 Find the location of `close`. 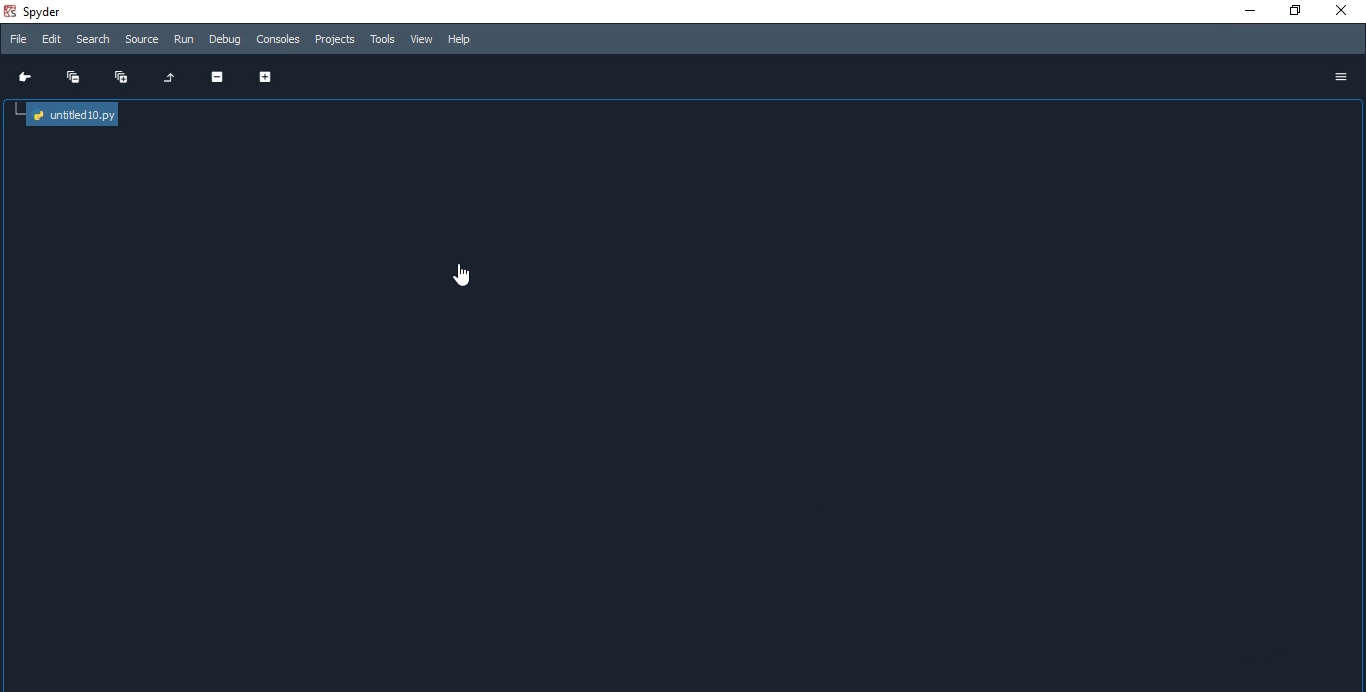

close is located at coordinates (1343, 11).